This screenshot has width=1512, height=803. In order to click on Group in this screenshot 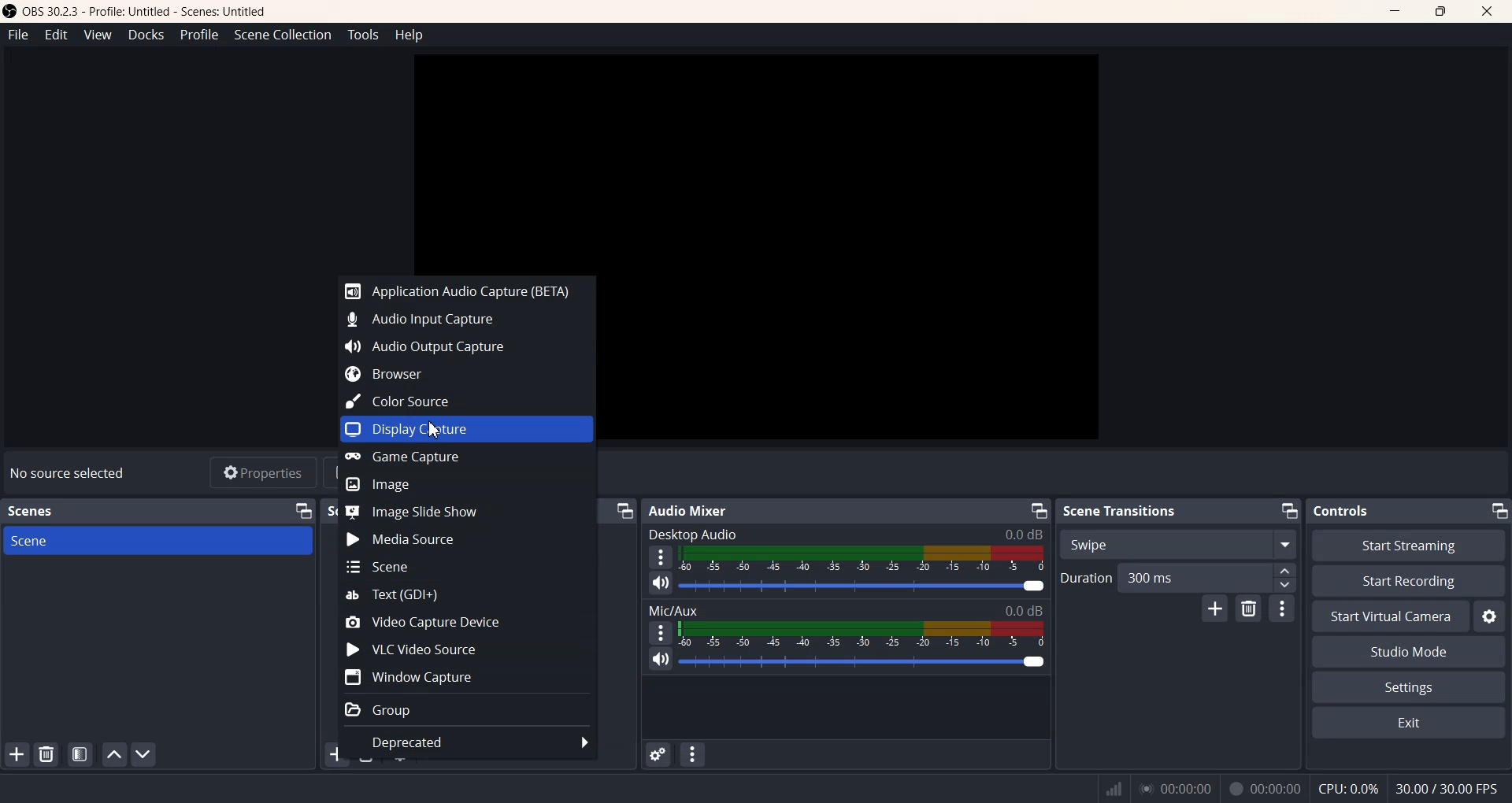, I will do `click(469, 708)`.